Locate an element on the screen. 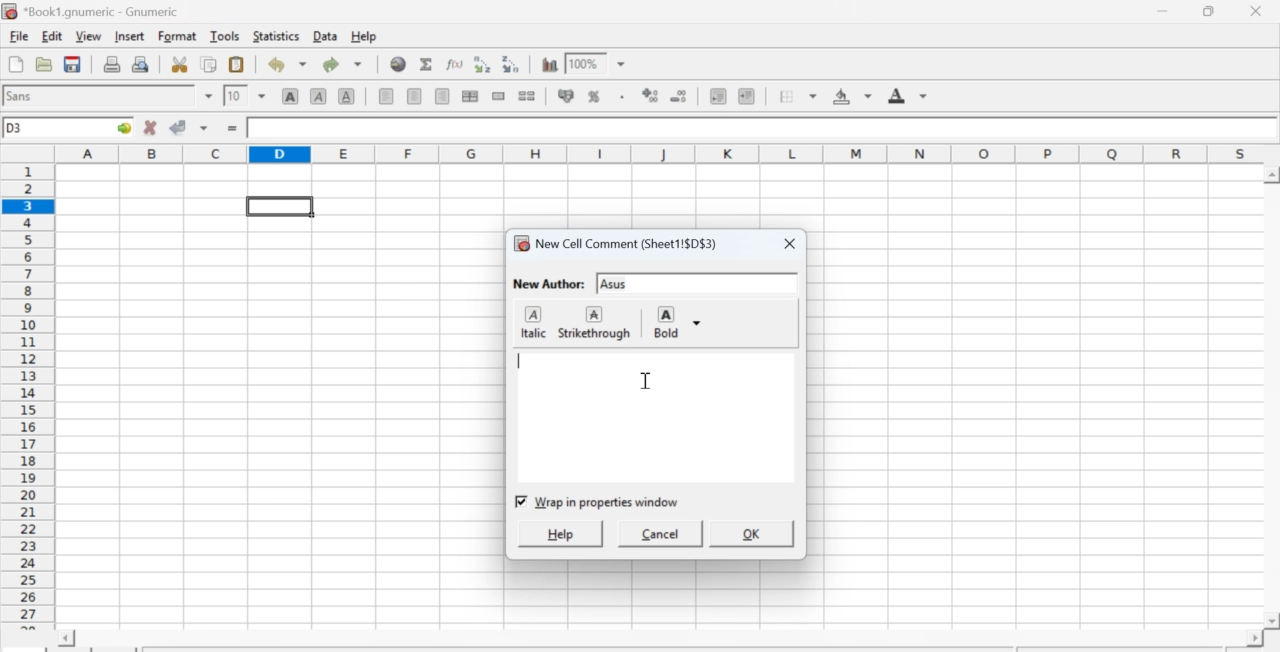 Image resolution: width=1280 pixels, height=652 pixels. commentbox is located at coordinates (655, 419).